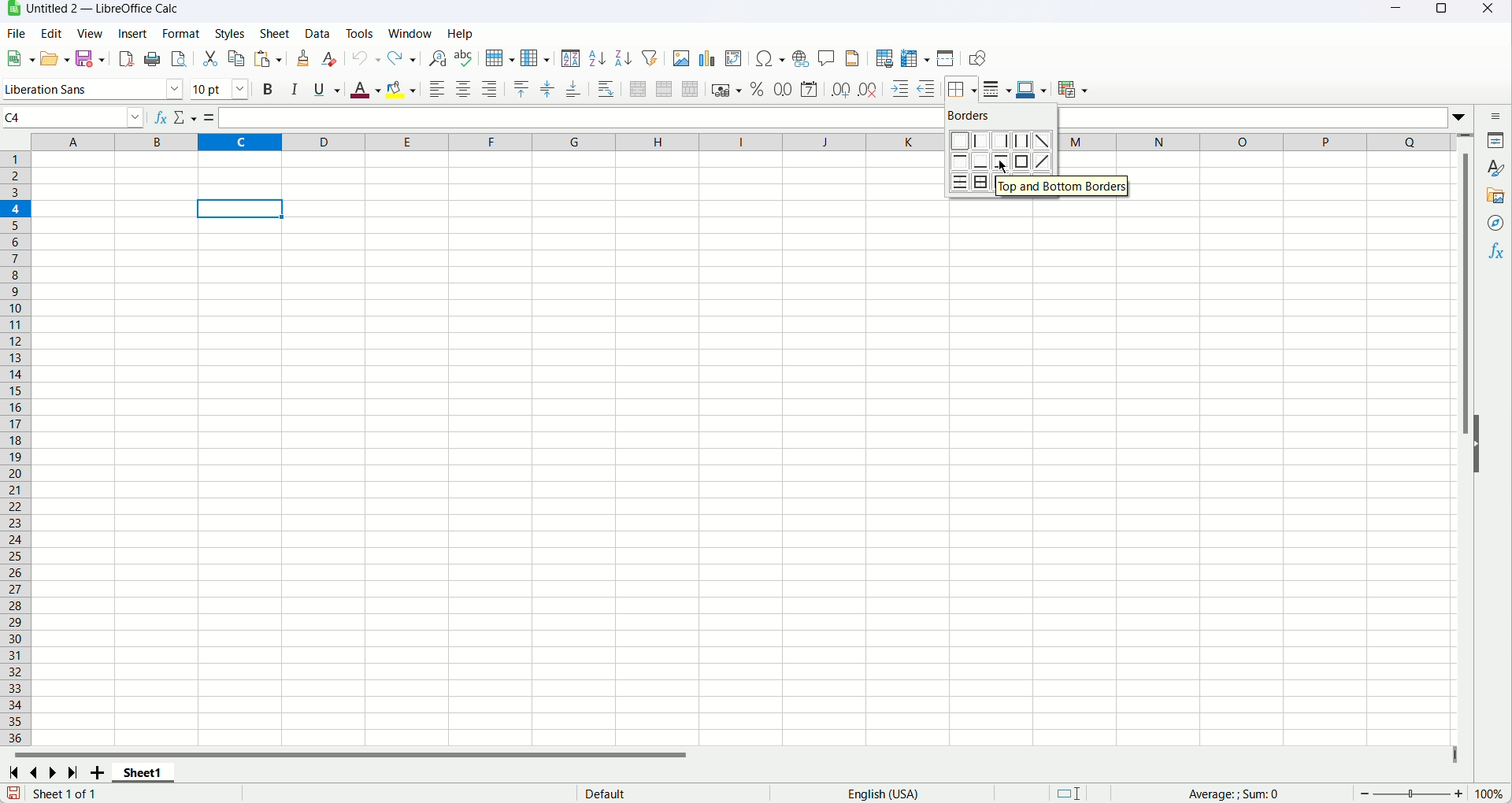 The width and height of the screenshot is (1512, 803). Describe the element at coordinates (155, 59) in the screenshot. I see `Print` at that location.